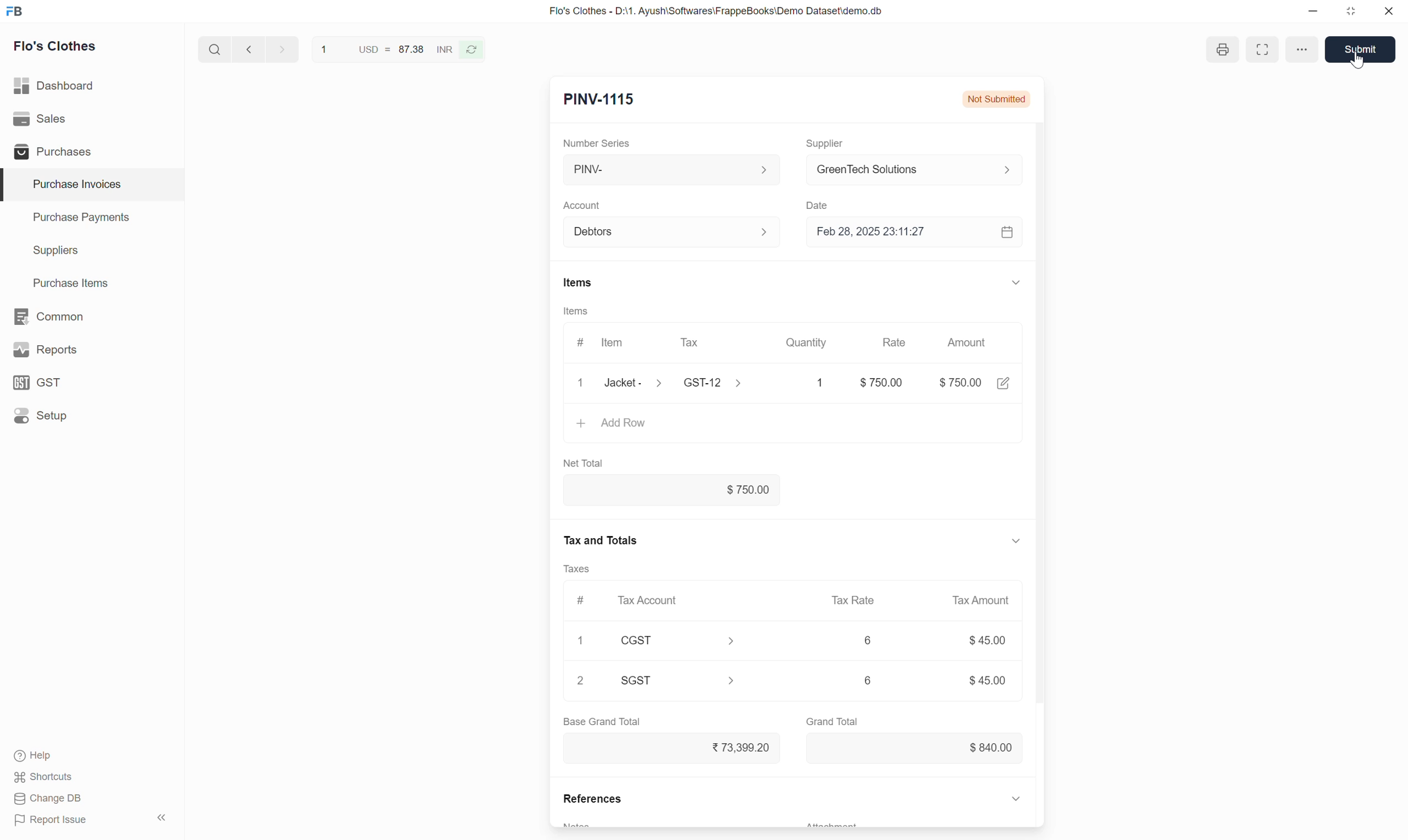  What do you see at coordinates (1350, 11) in the screenshot?
I see `Change dimension` at bounding box center [1350, 11].